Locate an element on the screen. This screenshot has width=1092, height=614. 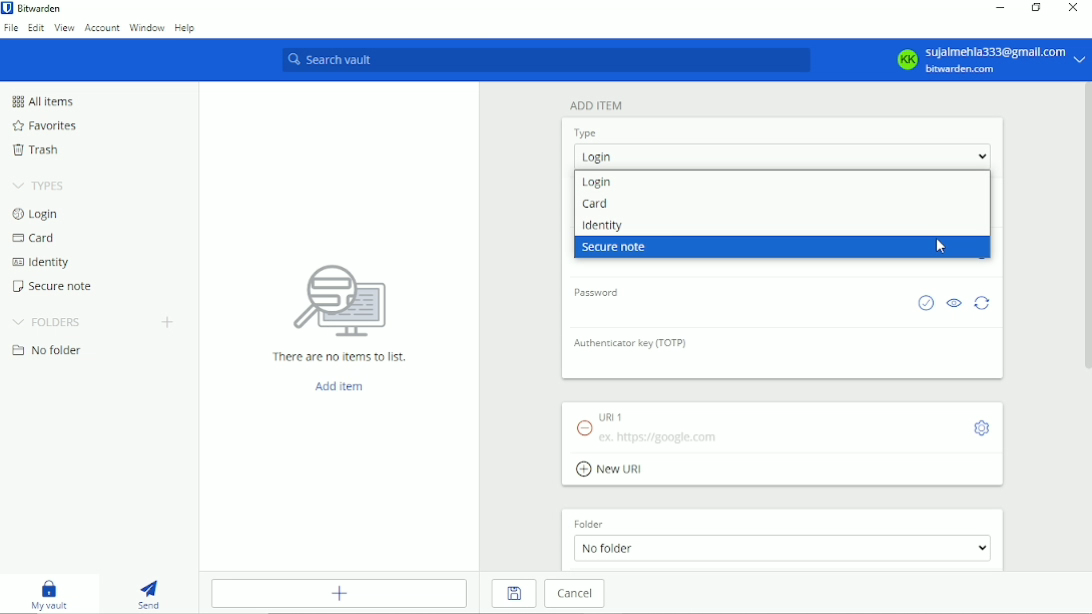
Add item is located at coordinates (341, 594).